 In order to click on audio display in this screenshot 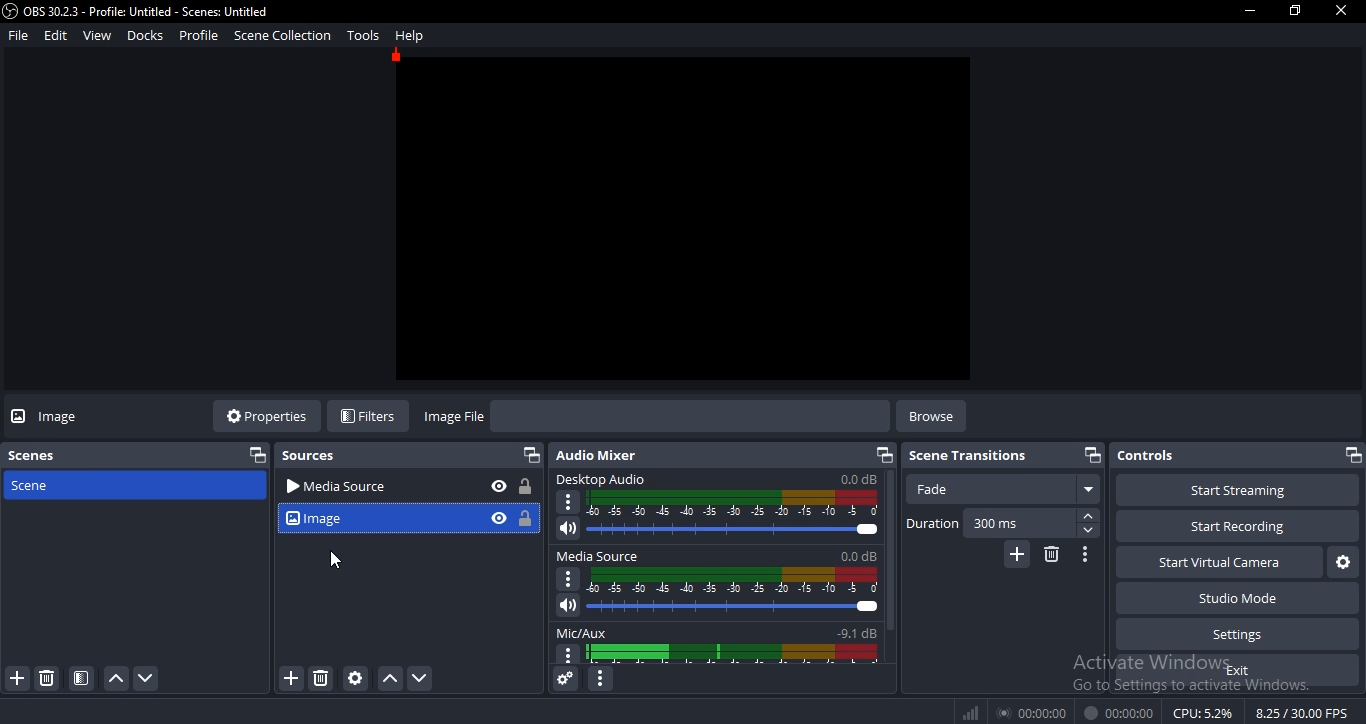, I will do `click(734, 503)`.